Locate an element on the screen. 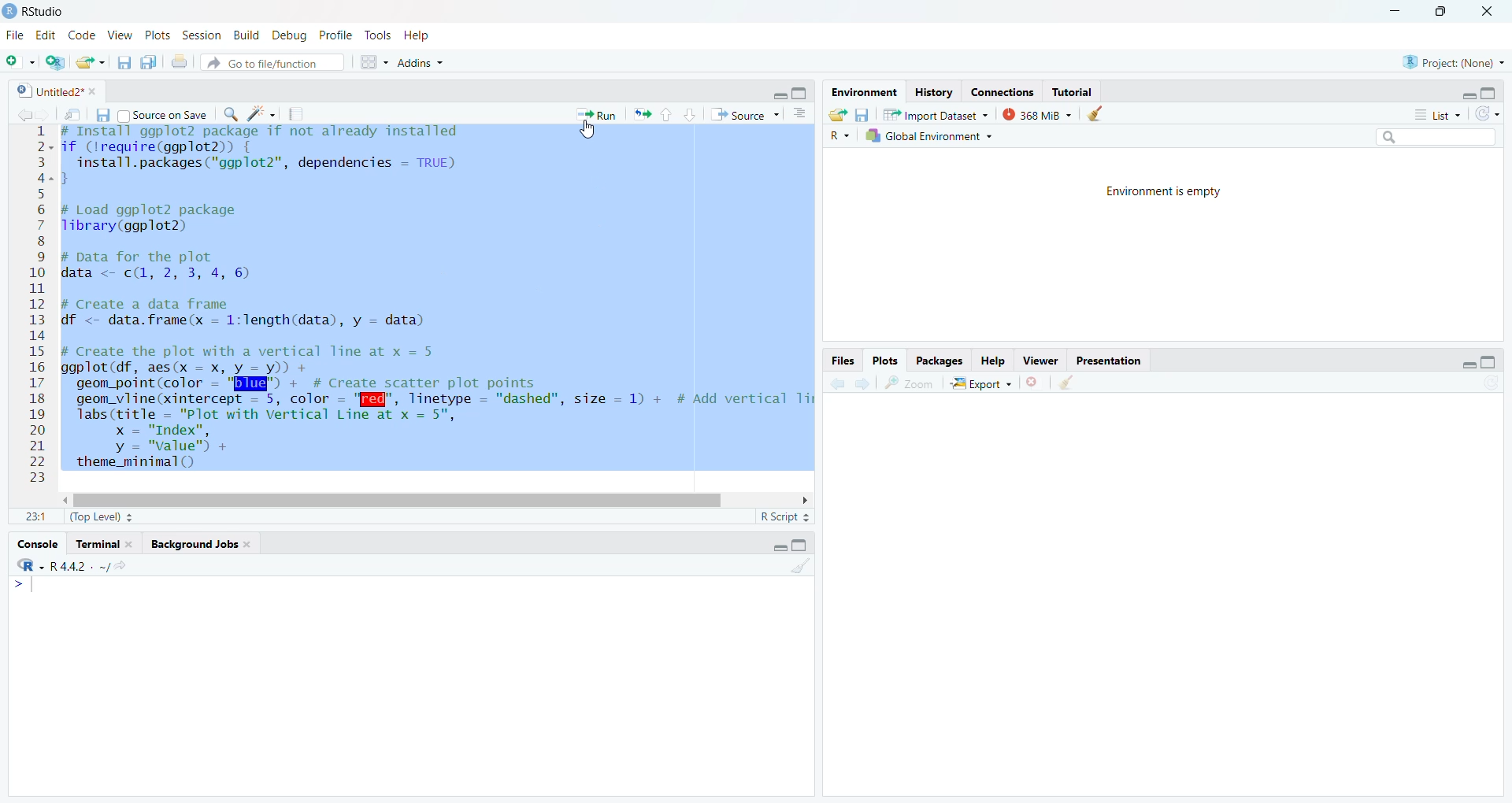 The height and width of the screenshot is (803, 1512). File is located at coordinates (16, 35).